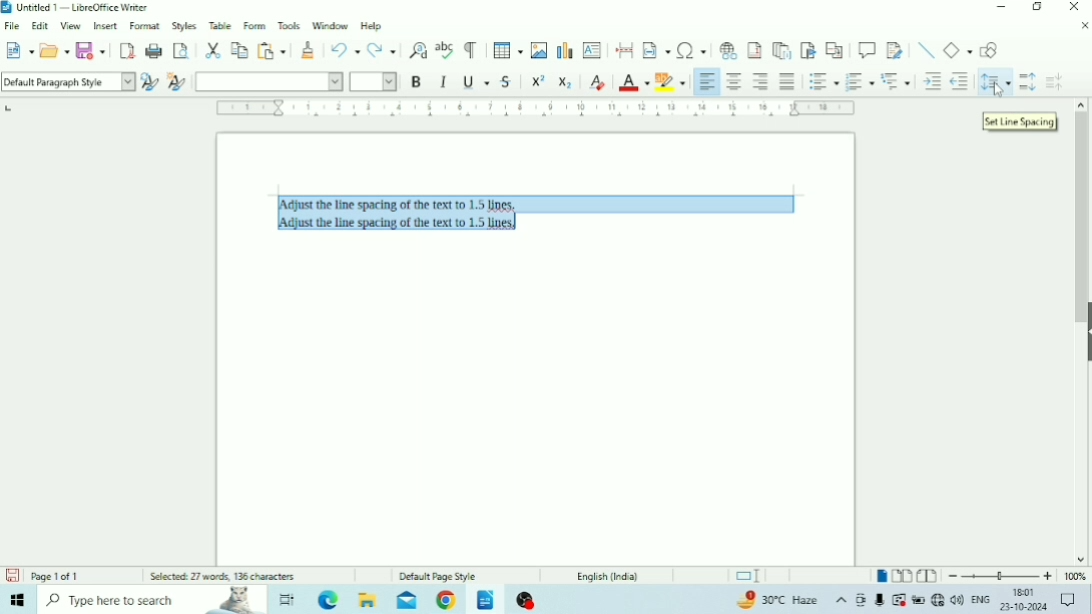  What do you see at coordinates (842, 600) in the screenshot?
I see `Show hidden icons` at bounding box center [842, 600].